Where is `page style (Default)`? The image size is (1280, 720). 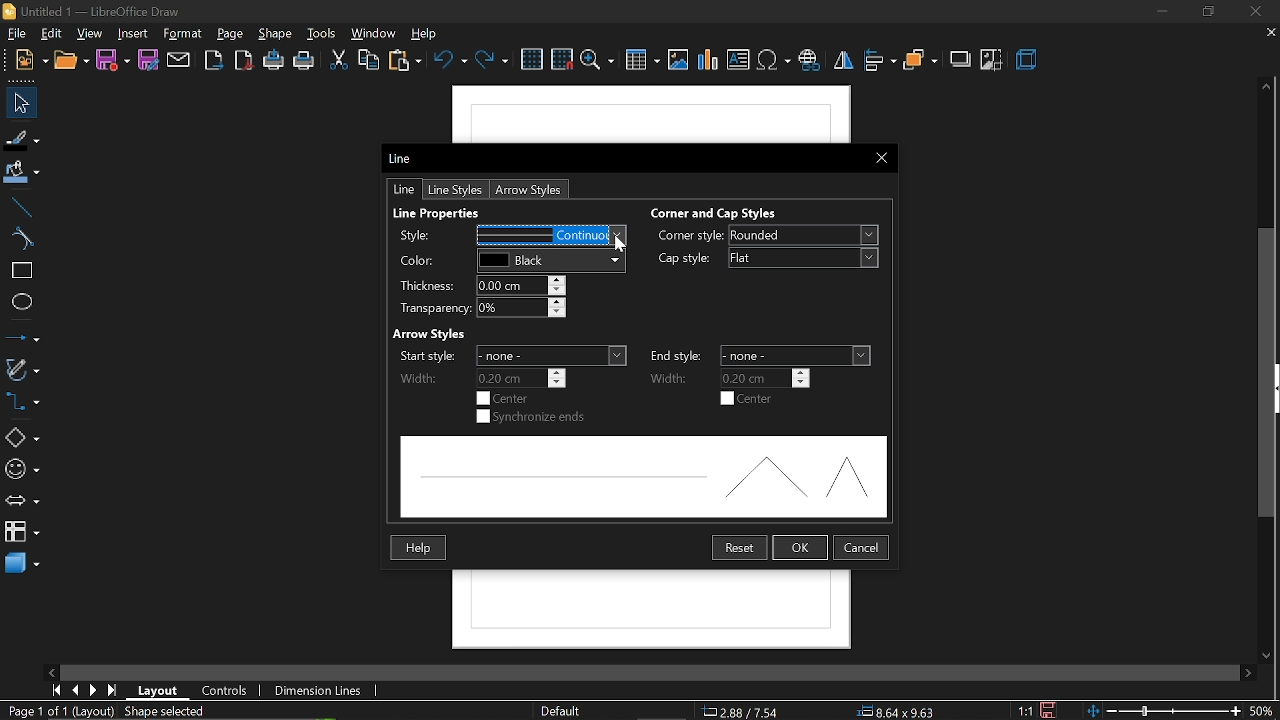 page style (Default) is located at coordinates (565, 710).